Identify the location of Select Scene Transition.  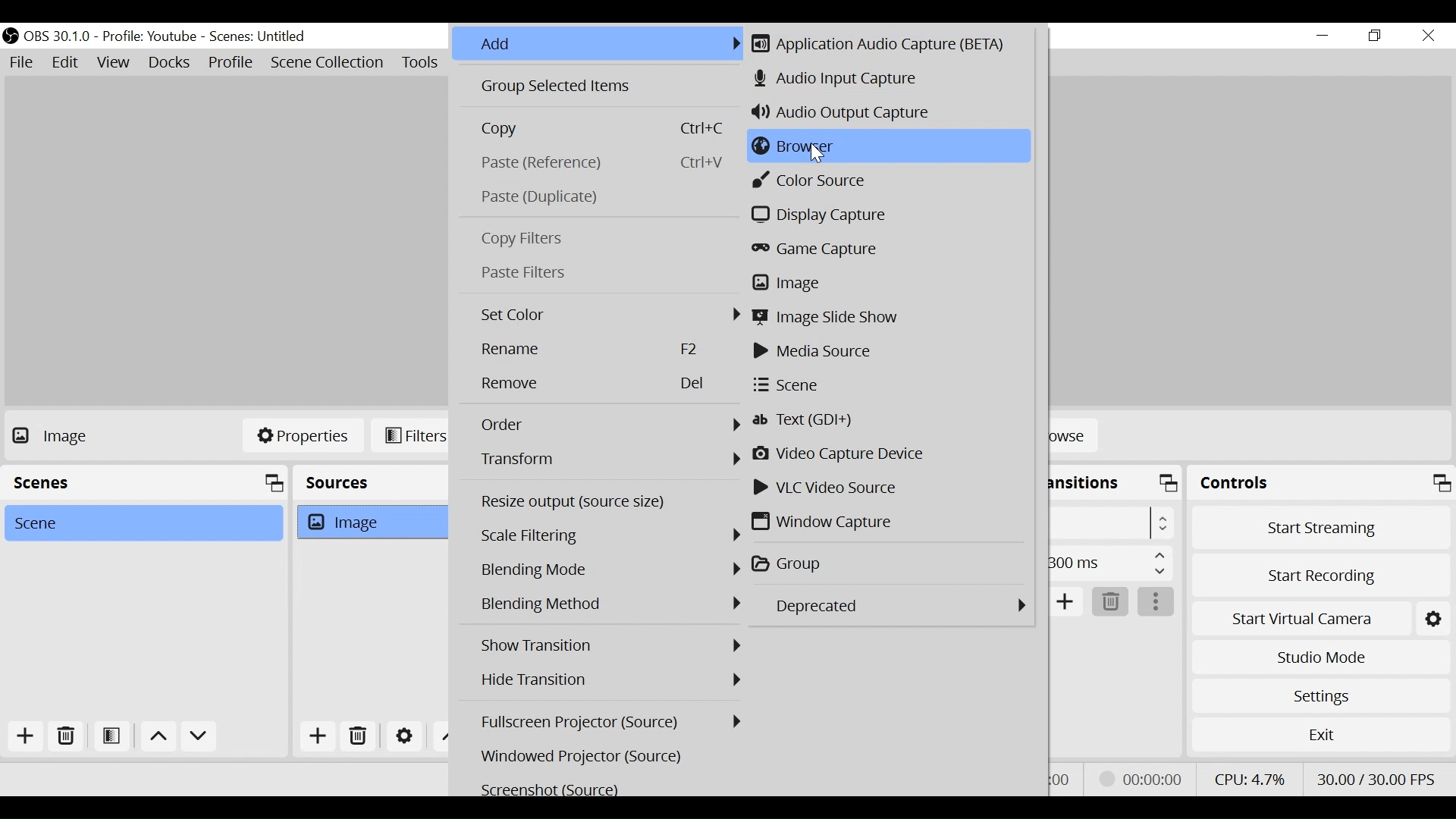
(1109, 521).